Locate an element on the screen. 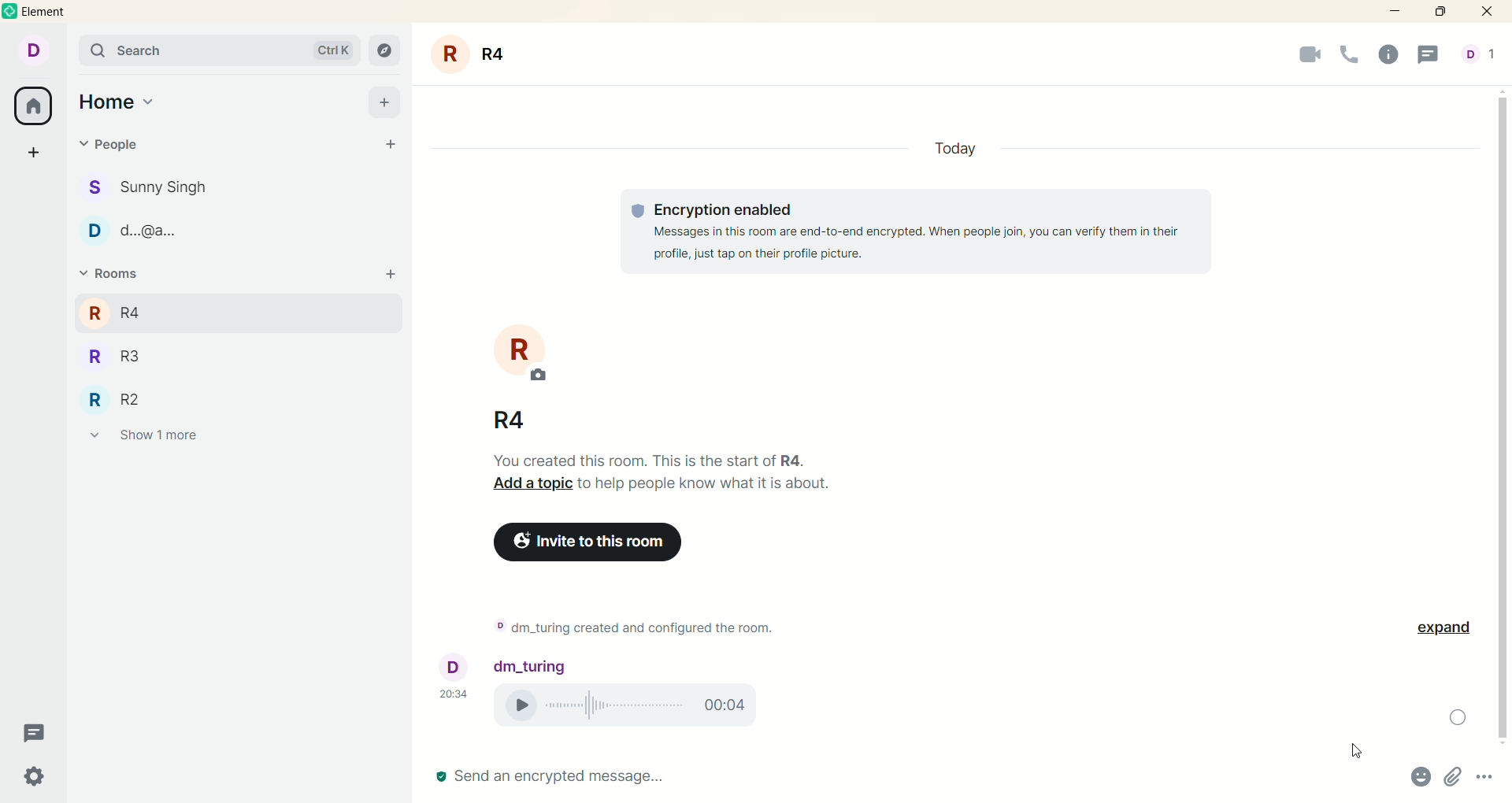 Image resolution: width=1512 pixels, height=803 pixels. room name is located at coordinates (476, 54).